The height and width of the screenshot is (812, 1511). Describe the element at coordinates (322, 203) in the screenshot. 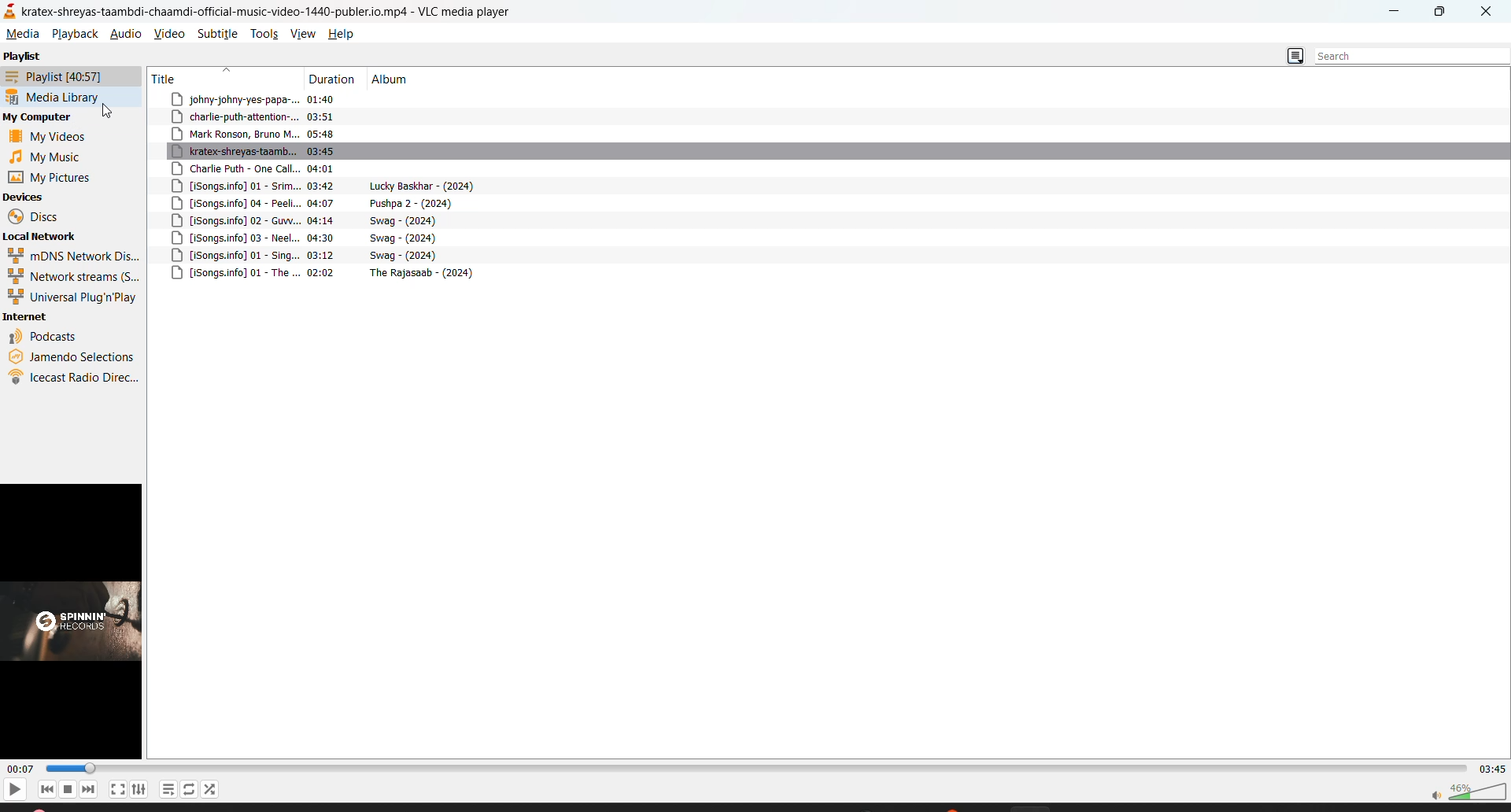

I see `track title , duration and album` at that location.